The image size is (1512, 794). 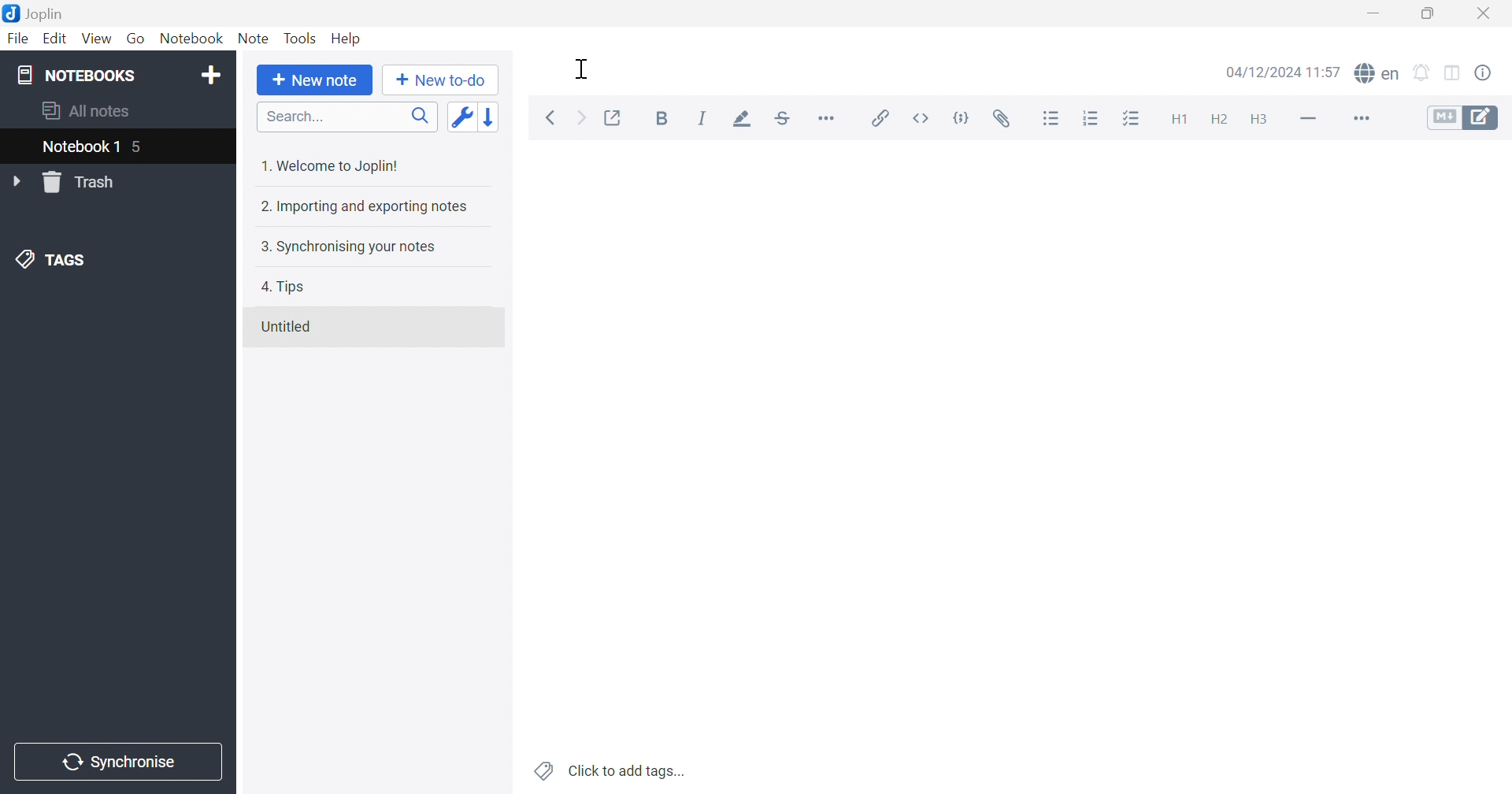 I want to click on File, so click(x=20, y=39).